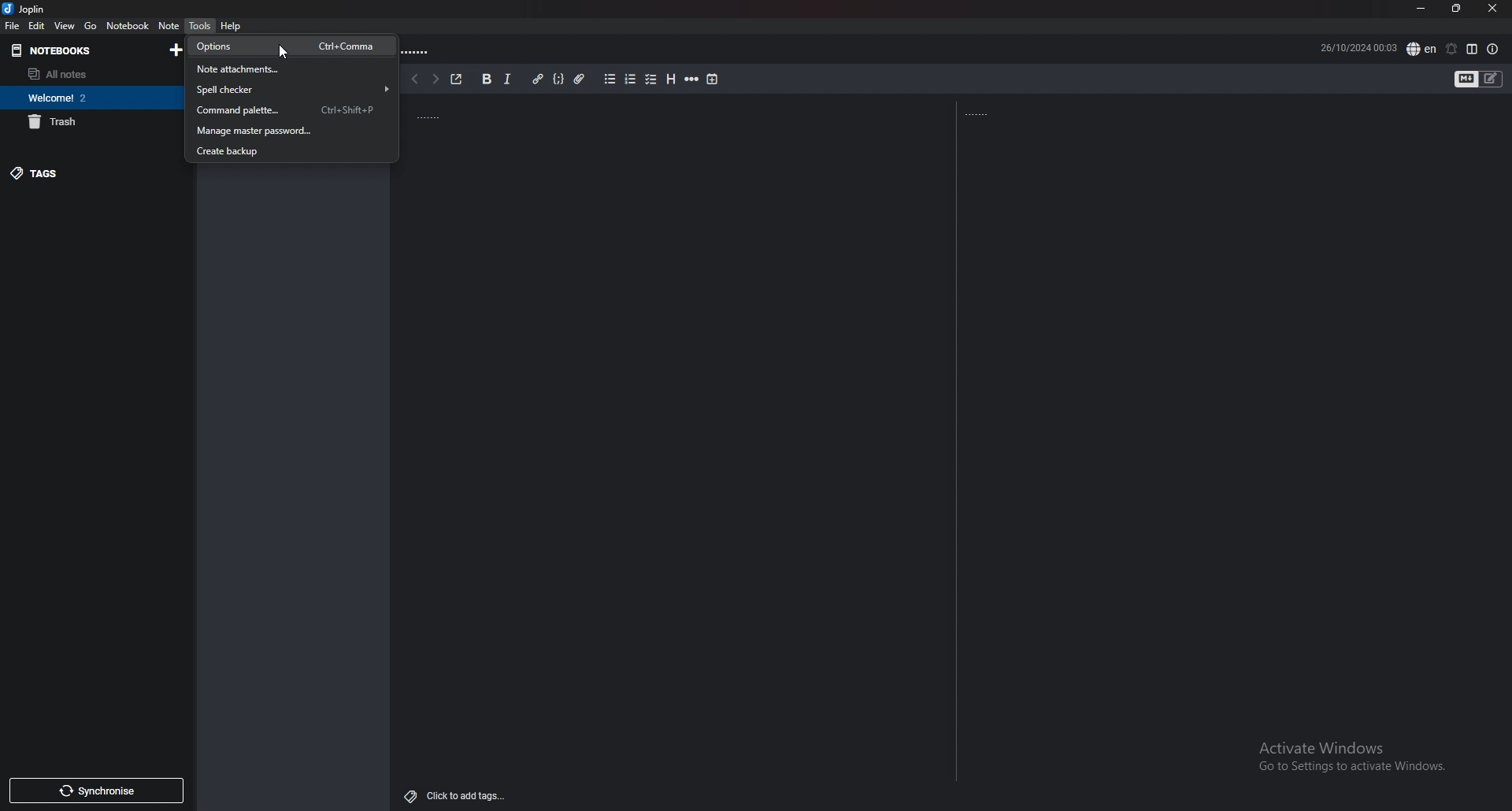 The image size is (1512, 811). What do you see at coordinates (65, 25) in the screenshot?
I see `view` at bounding box center [65, 25].